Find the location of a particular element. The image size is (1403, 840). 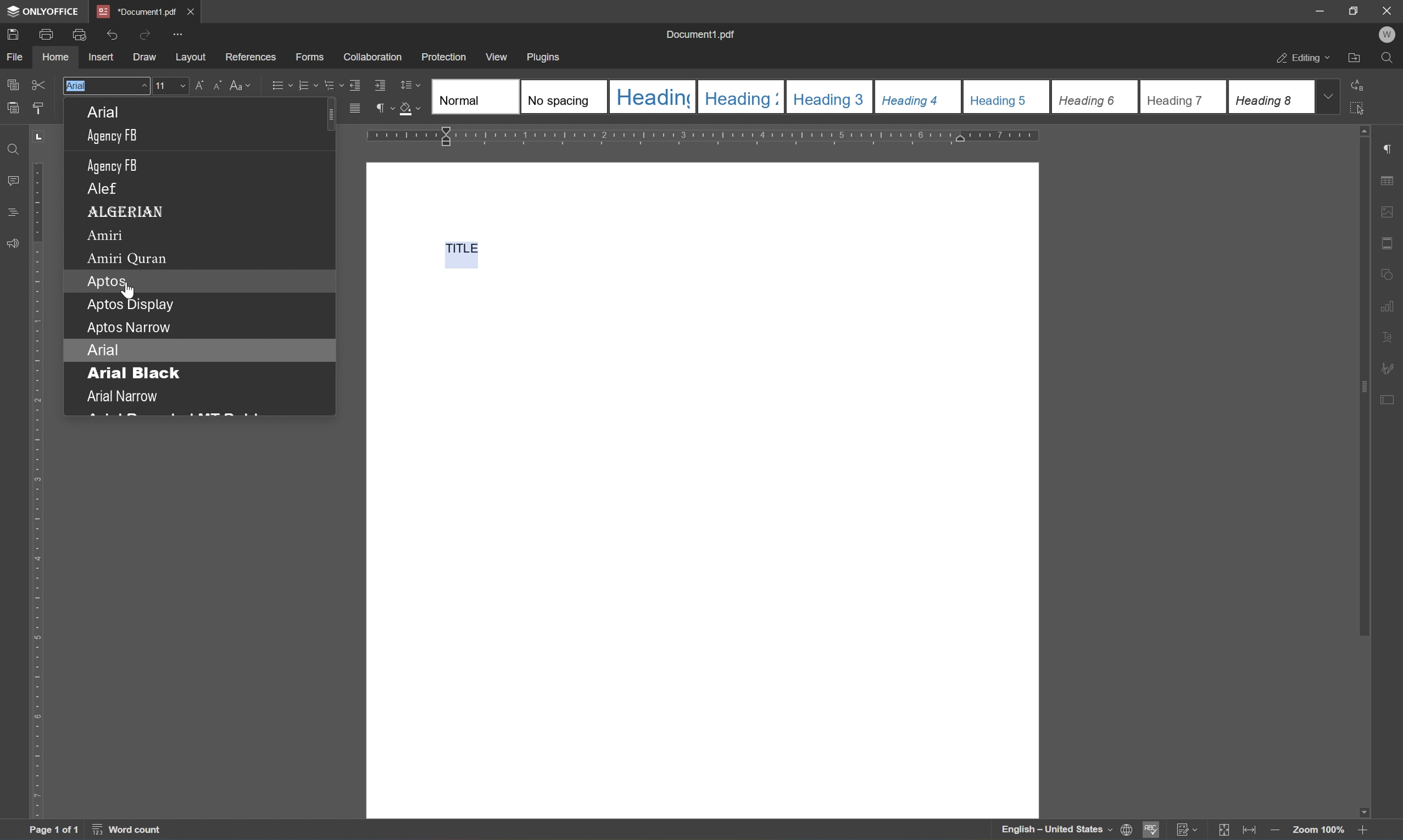

draw is located at coordinates (143, 56).